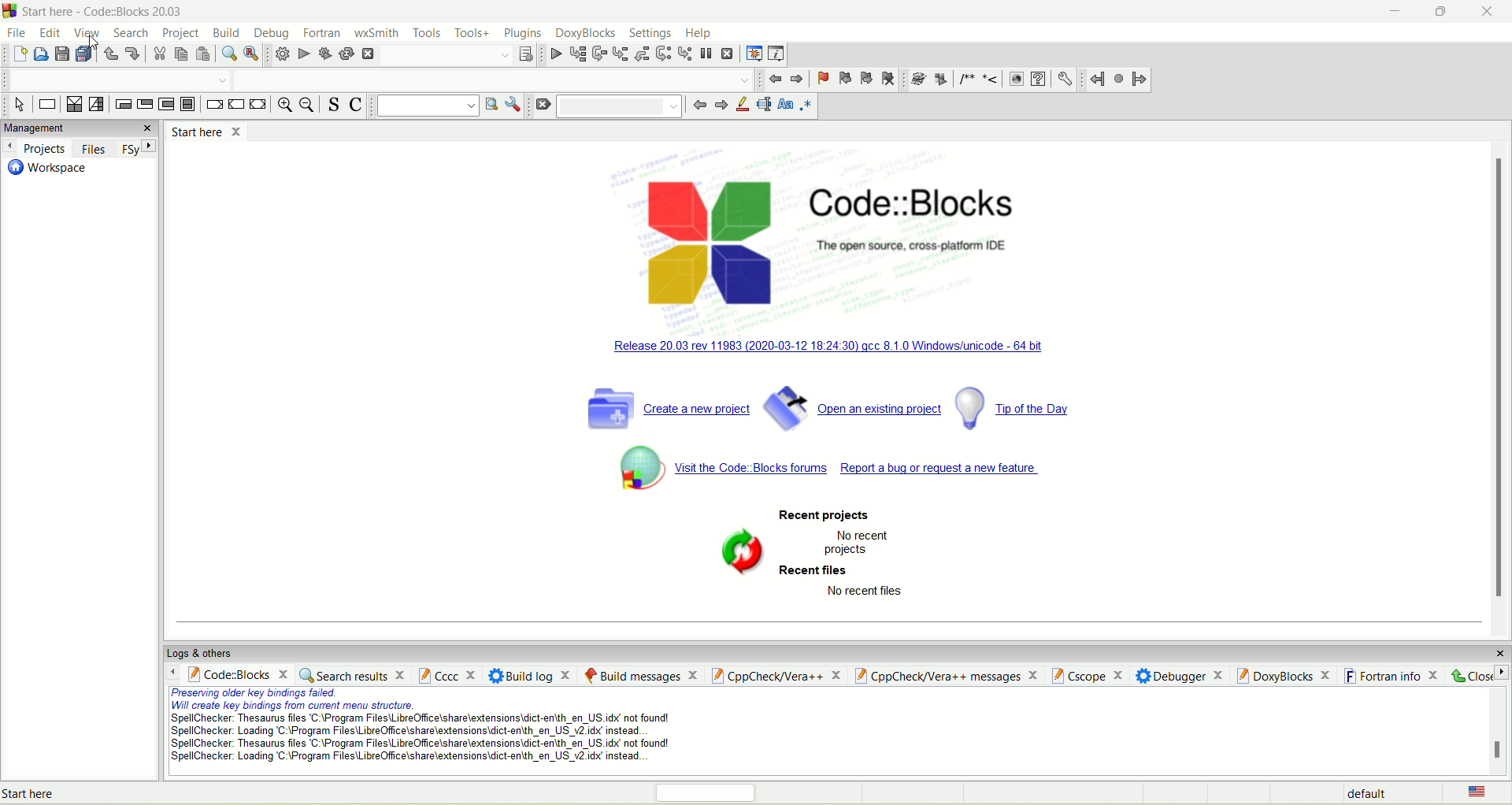 The width and height of the screenshot is (1512, 805). I want to click on boxyblocks, so click(1287, 674).